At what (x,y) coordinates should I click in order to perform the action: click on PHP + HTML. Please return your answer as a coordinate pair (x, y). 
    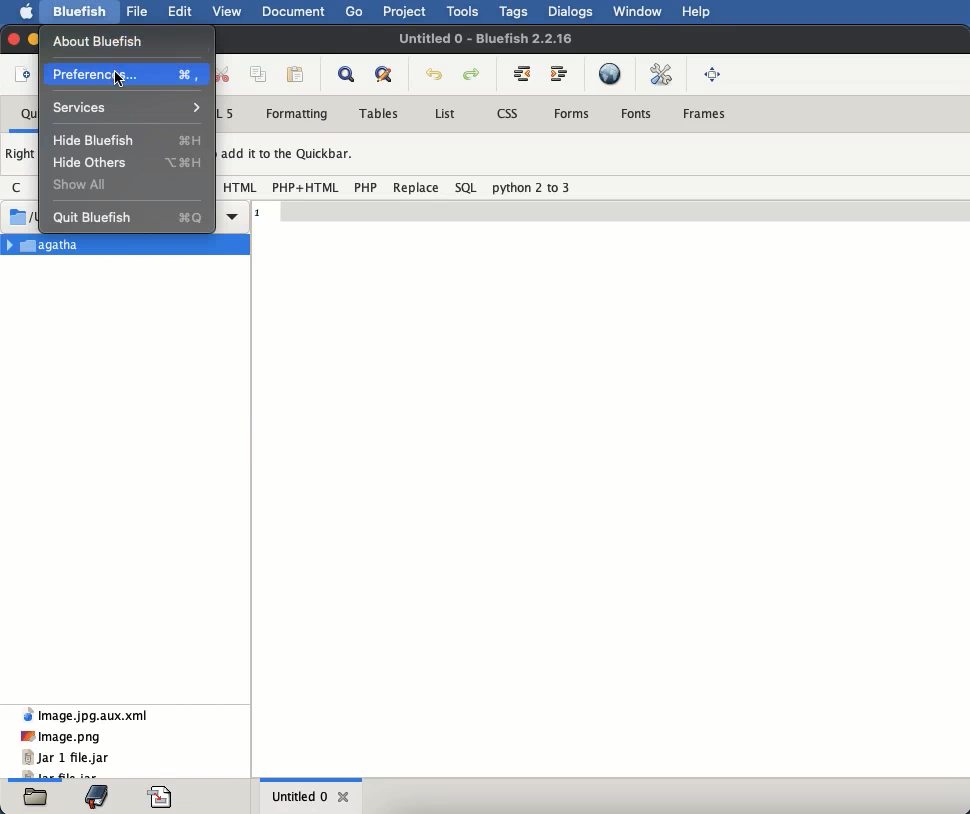
    Looking at the image, I should click on (306, 187).